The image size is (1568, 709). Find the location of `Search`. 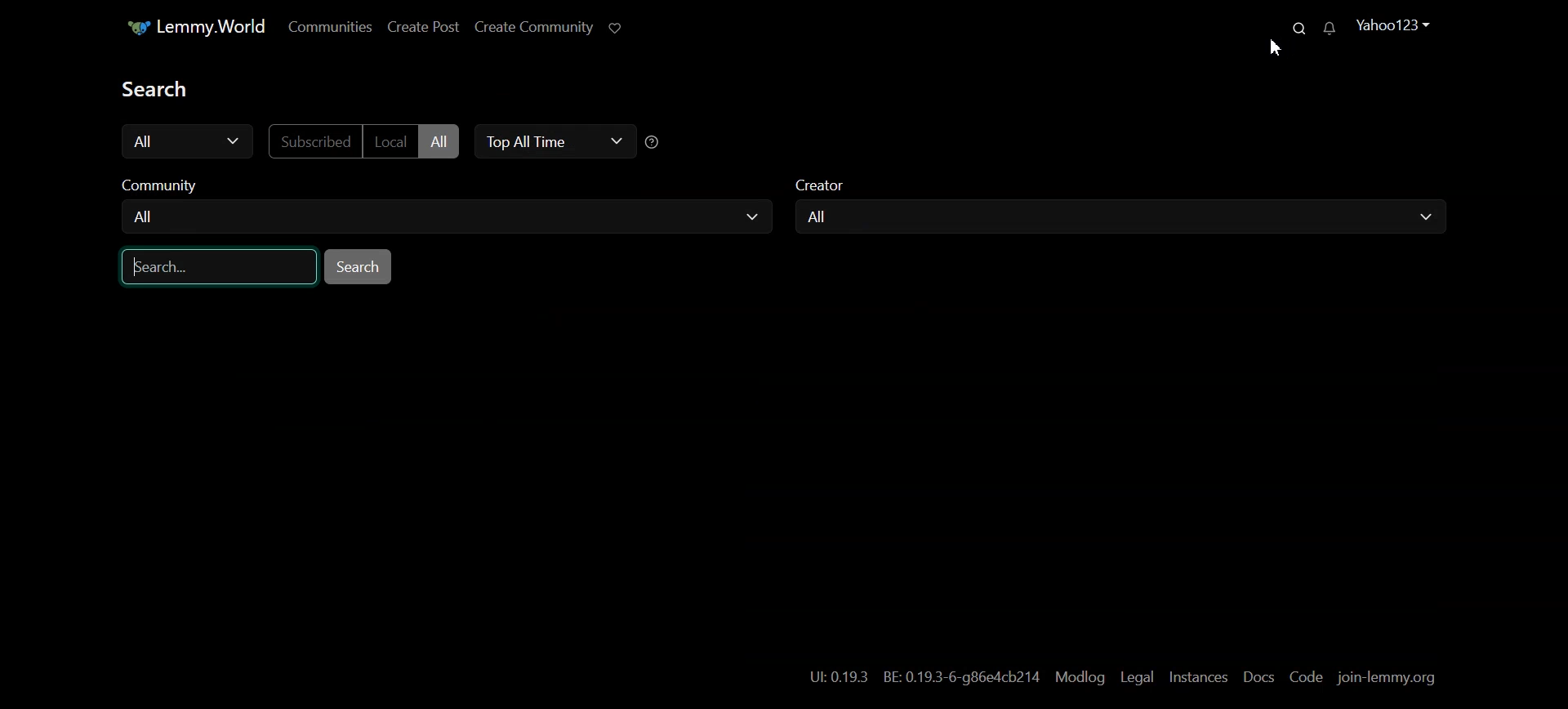

Search is located at coordinates (359, 266).